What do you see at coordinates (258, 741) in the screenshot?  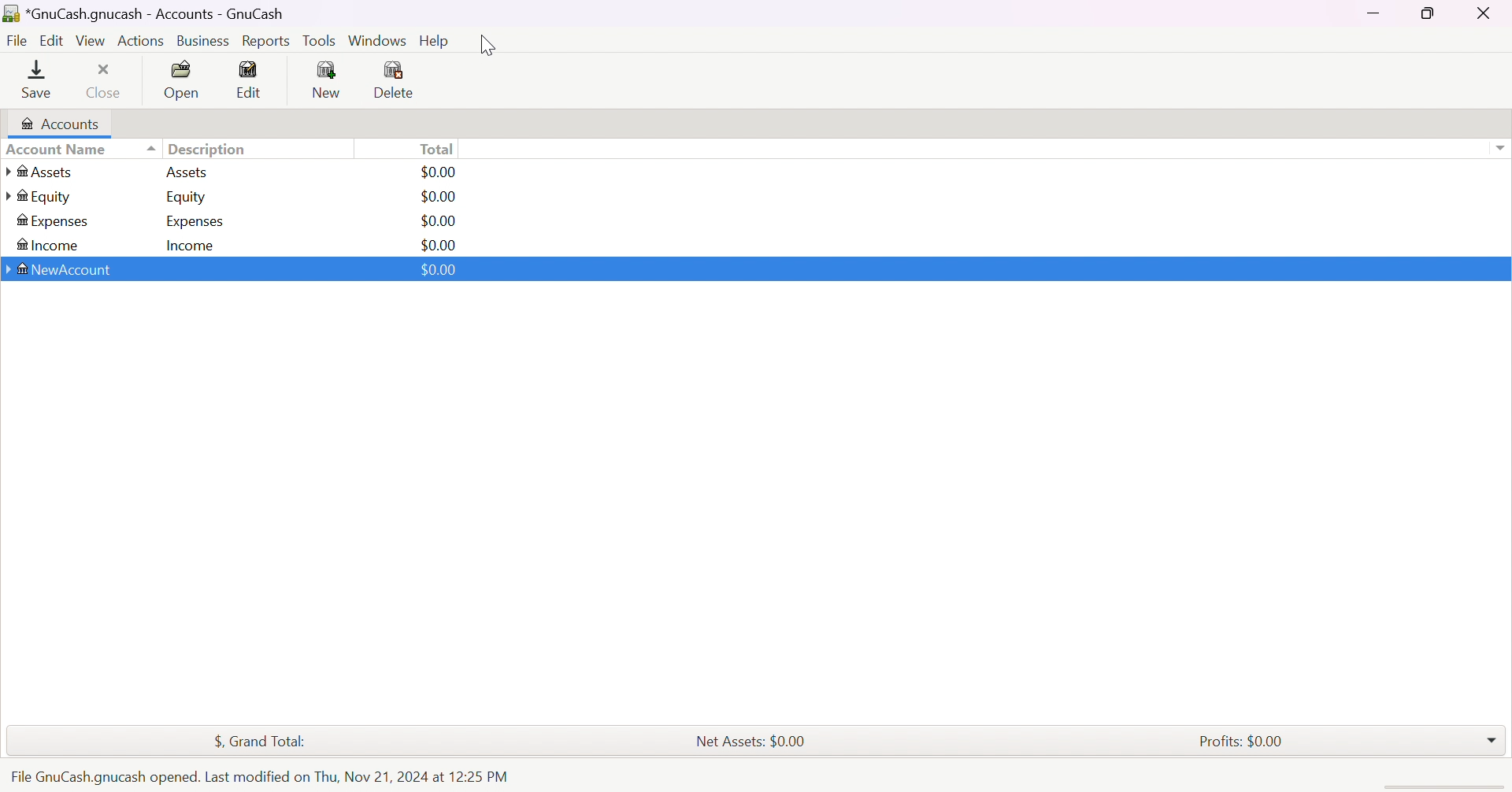 I see `$, Grand Total:` at bounding box center [258, 741].